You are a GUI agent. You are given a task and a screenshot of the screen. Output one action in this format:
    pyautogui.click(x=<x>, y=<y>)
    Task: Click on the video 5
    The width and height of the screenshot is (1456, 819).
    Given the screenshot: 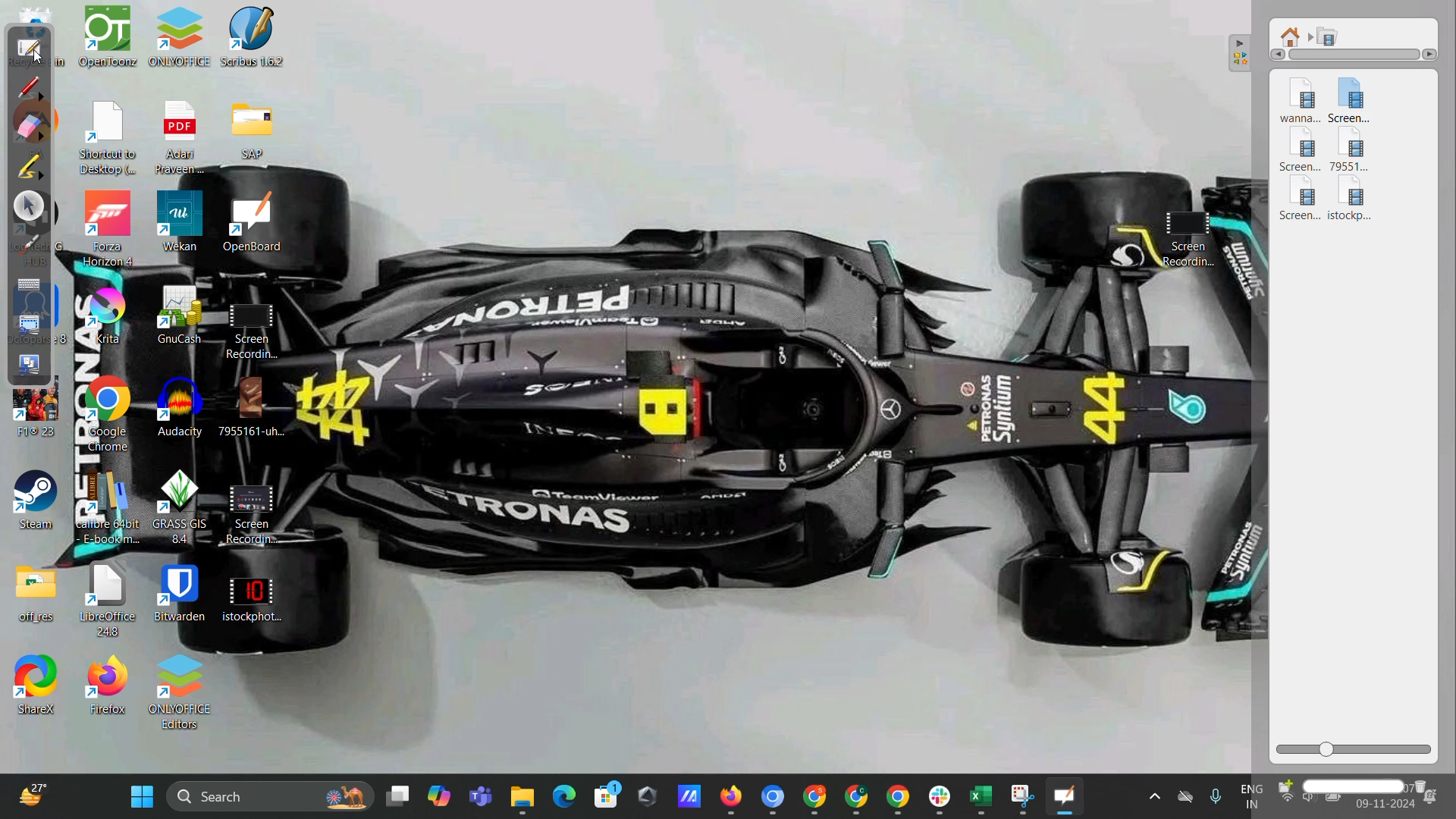 What is the action you would take?
    pyautogui.click(x=1300, y=201)
    